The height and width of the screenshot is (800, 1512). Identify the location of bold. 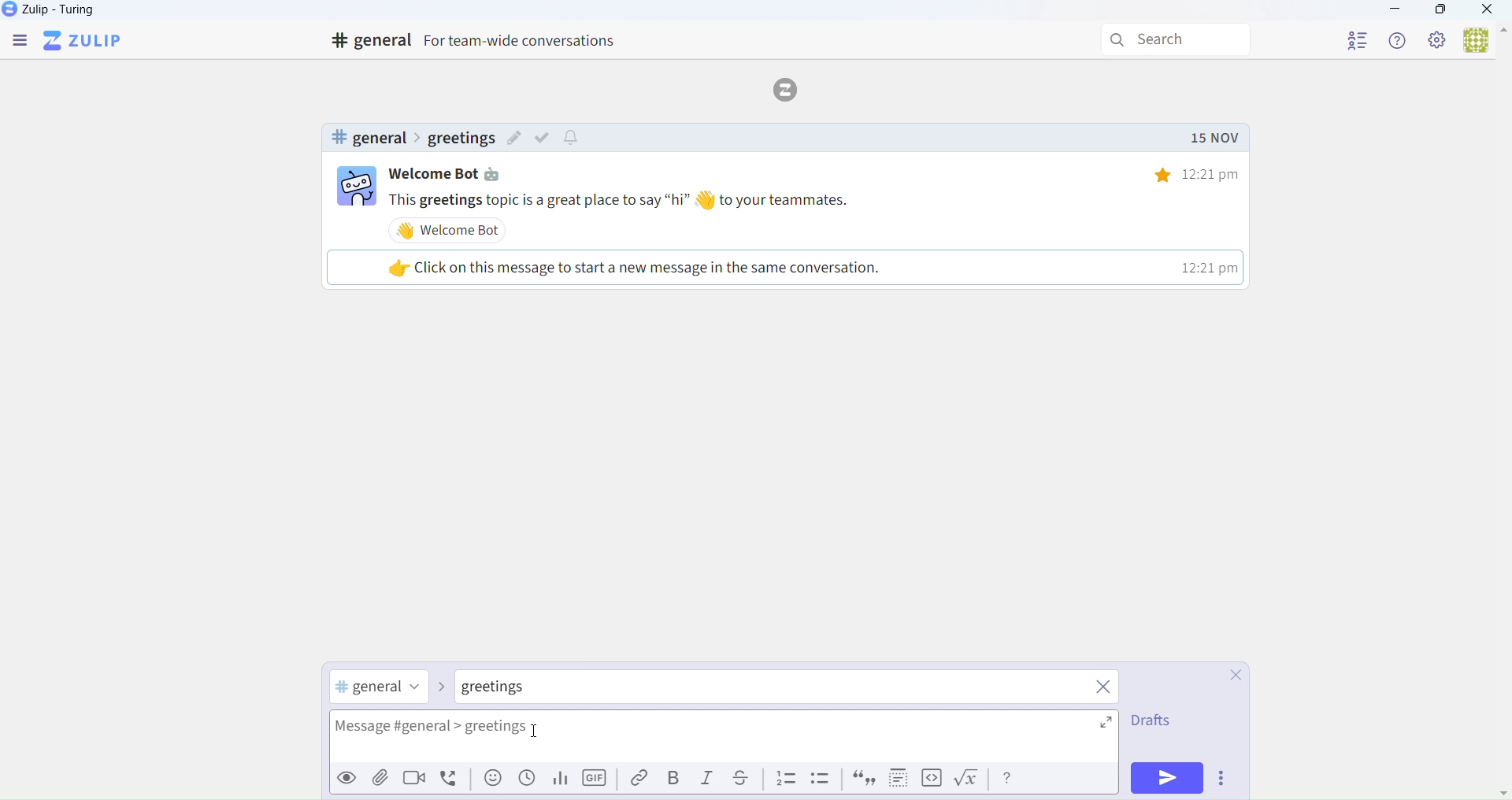
(671, 780).